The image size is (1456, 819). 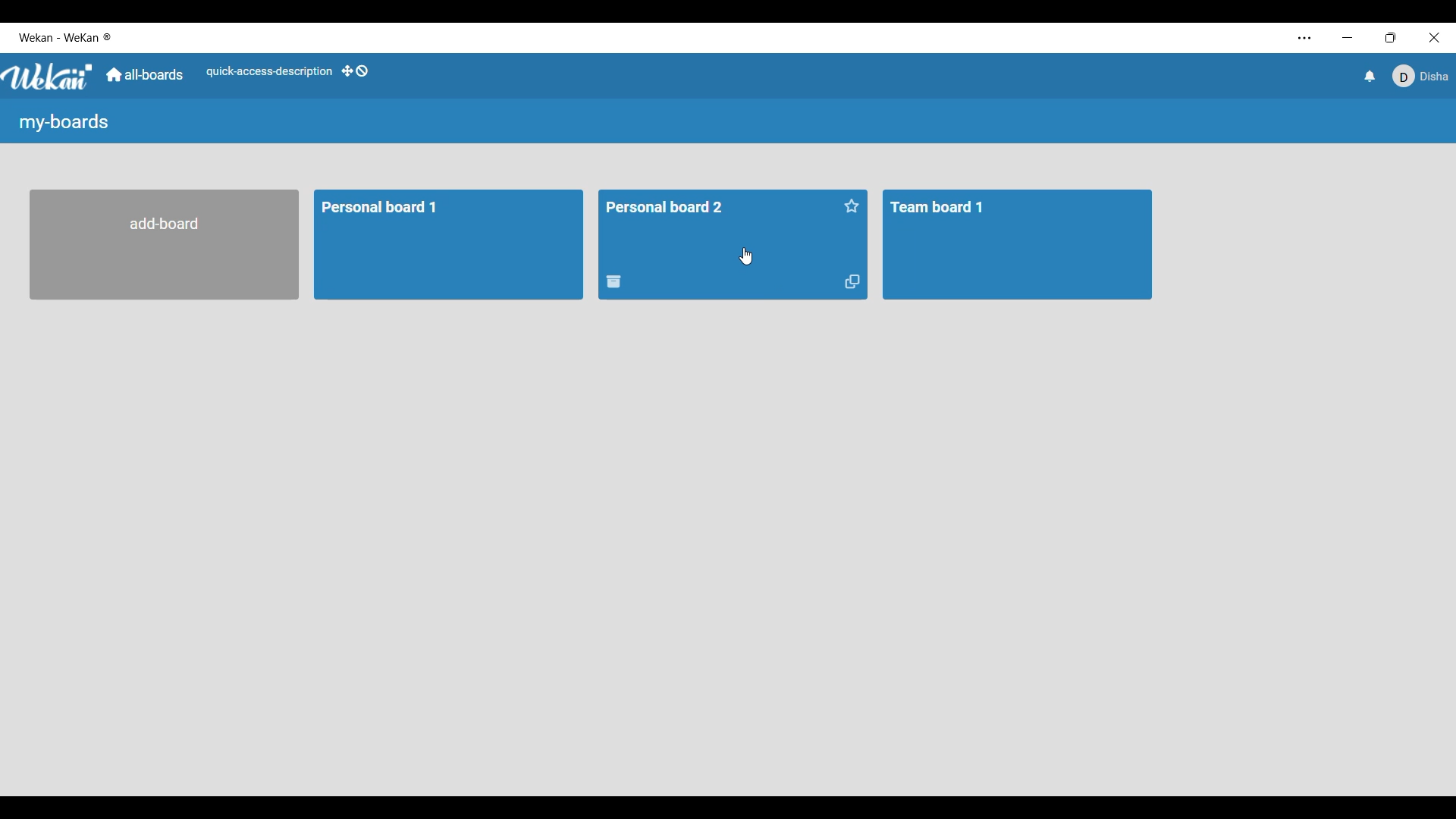 I want to click on Quick access description, so click(x=269, y=72).